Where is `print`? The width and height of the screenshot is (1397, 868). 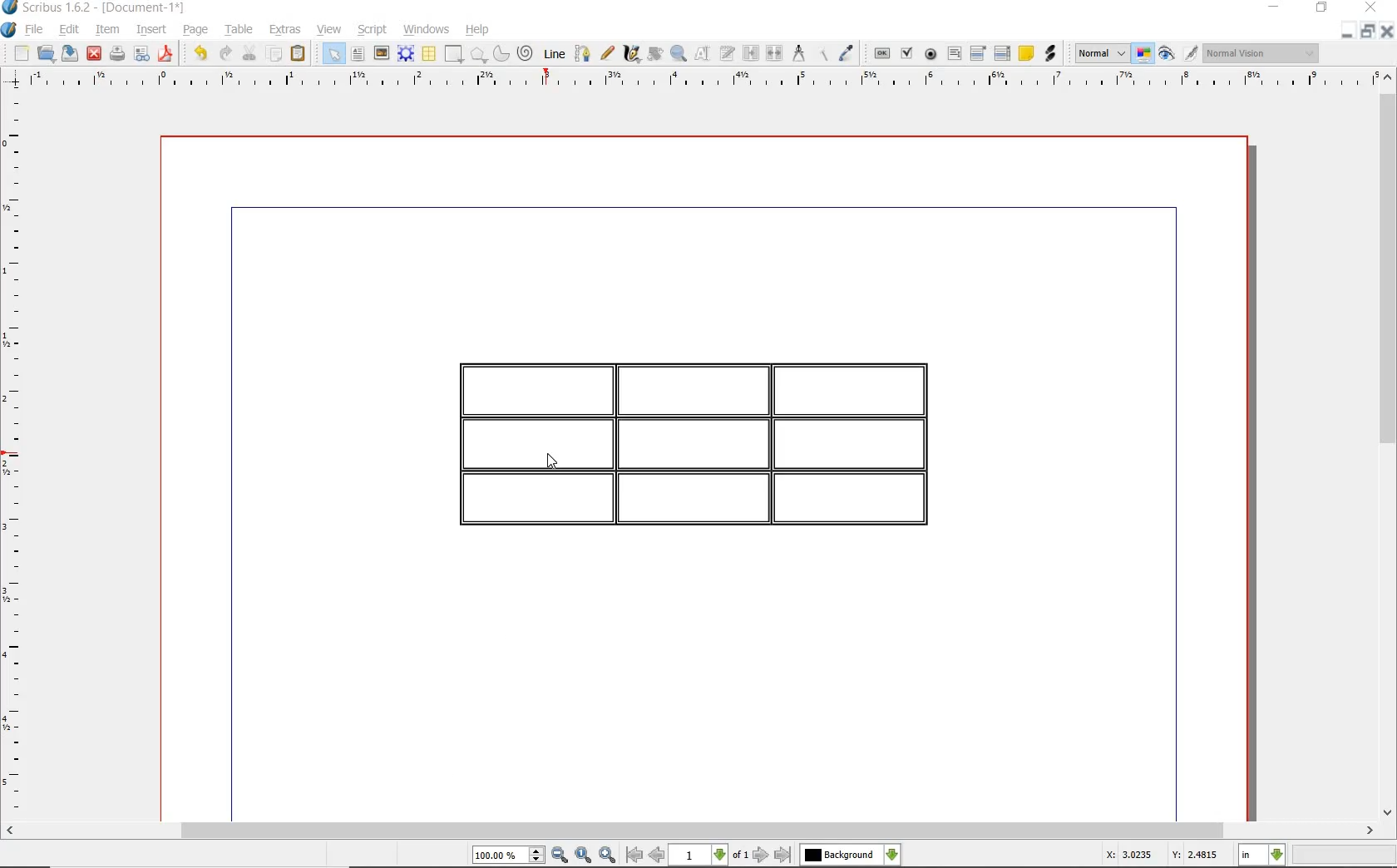
print is located at coordinates (118, 55).